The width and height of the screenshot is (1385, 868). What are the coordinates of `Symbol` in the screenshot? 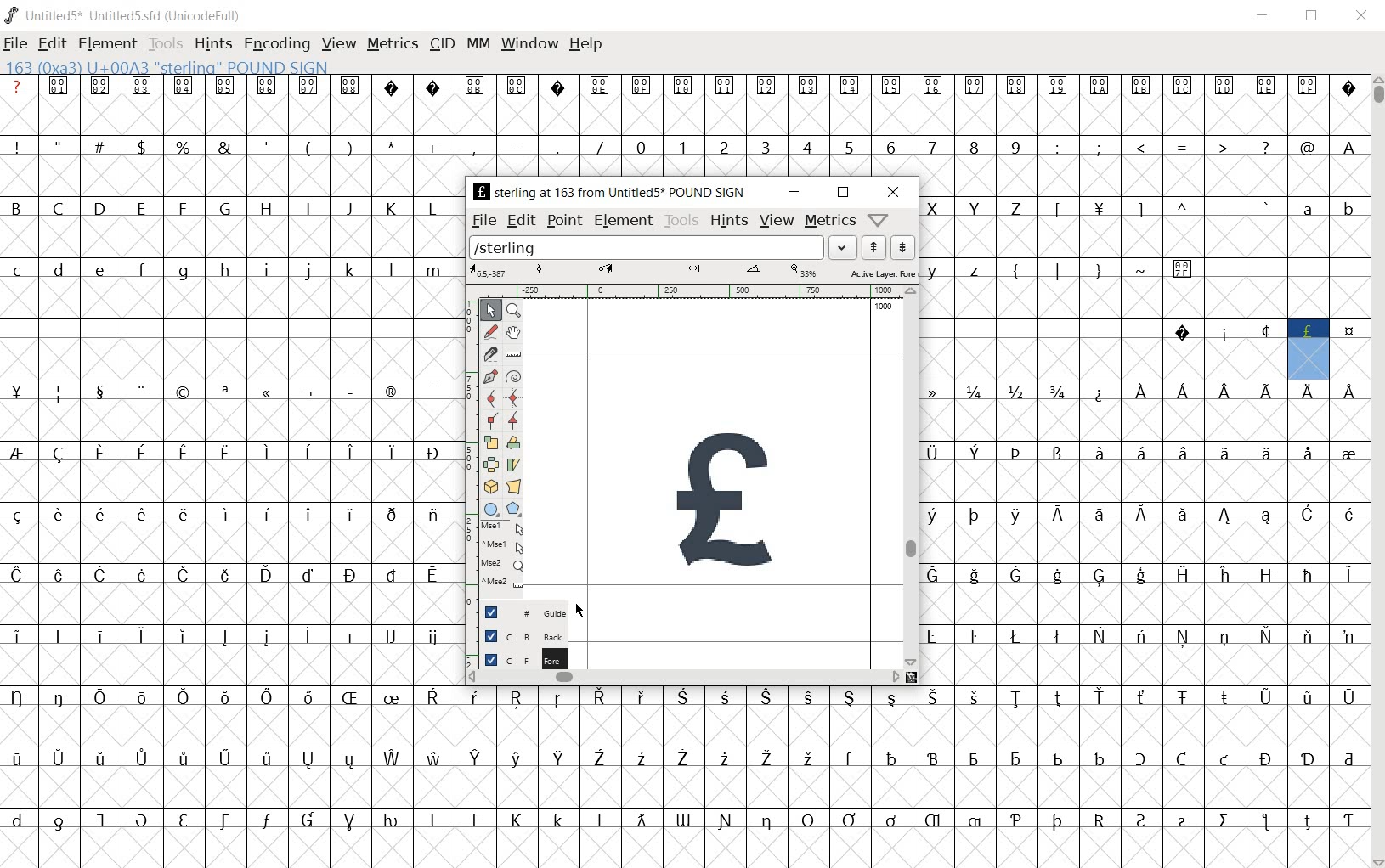 It's located at (432, 821).